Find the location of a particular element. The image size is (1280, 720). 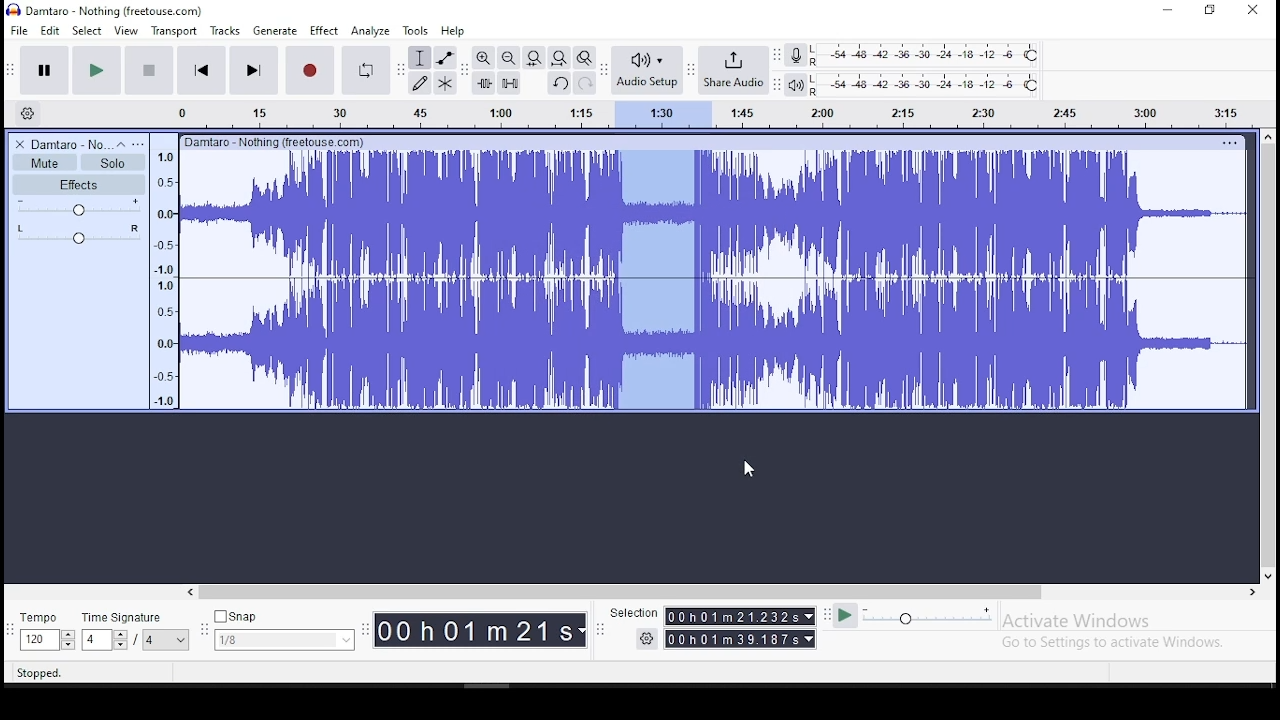

drop down is located at coordinates (807, 616).